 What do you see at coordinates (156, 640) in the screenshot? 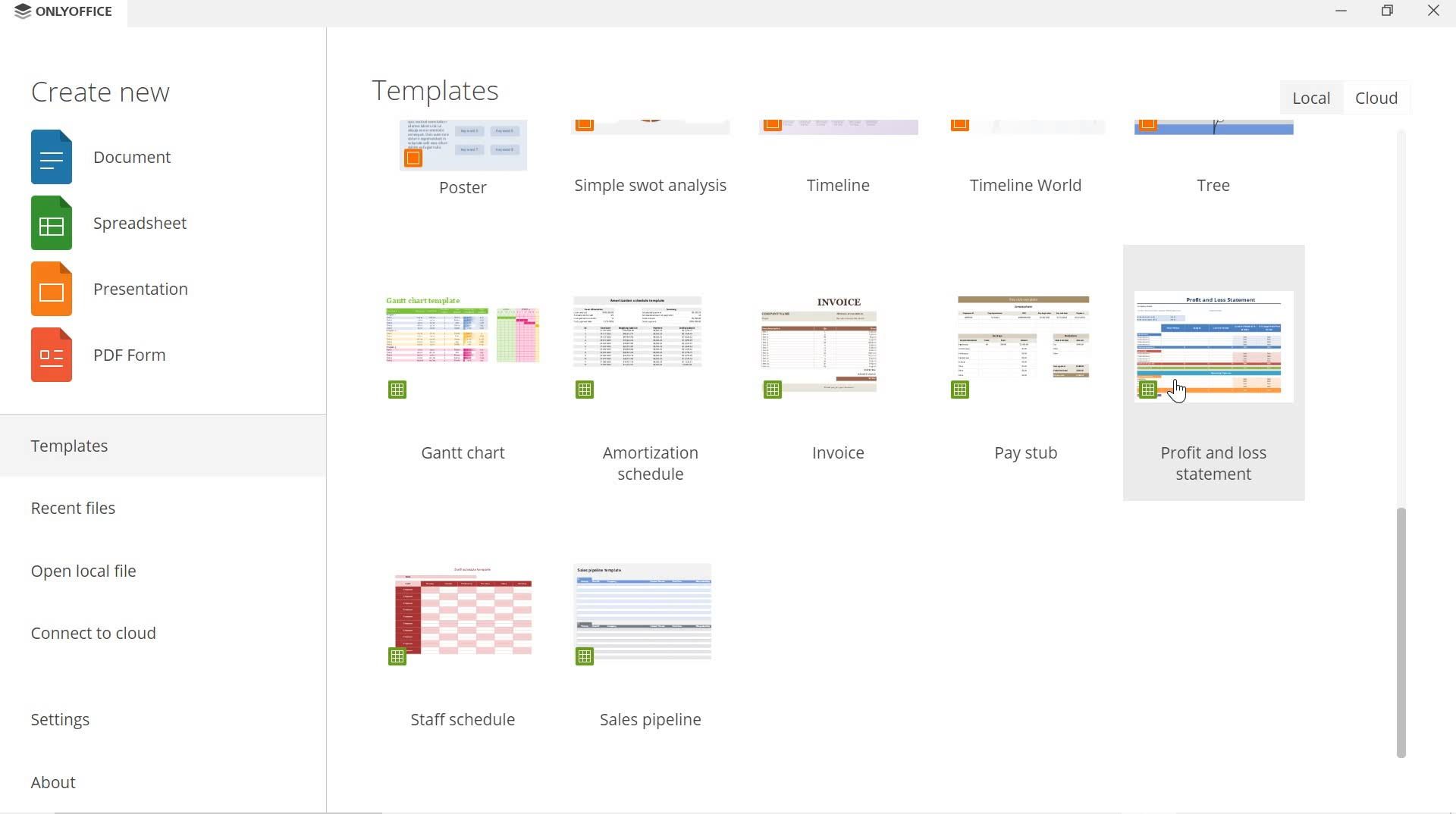
I see `connect to cloud` at bounding box center [156, 640].